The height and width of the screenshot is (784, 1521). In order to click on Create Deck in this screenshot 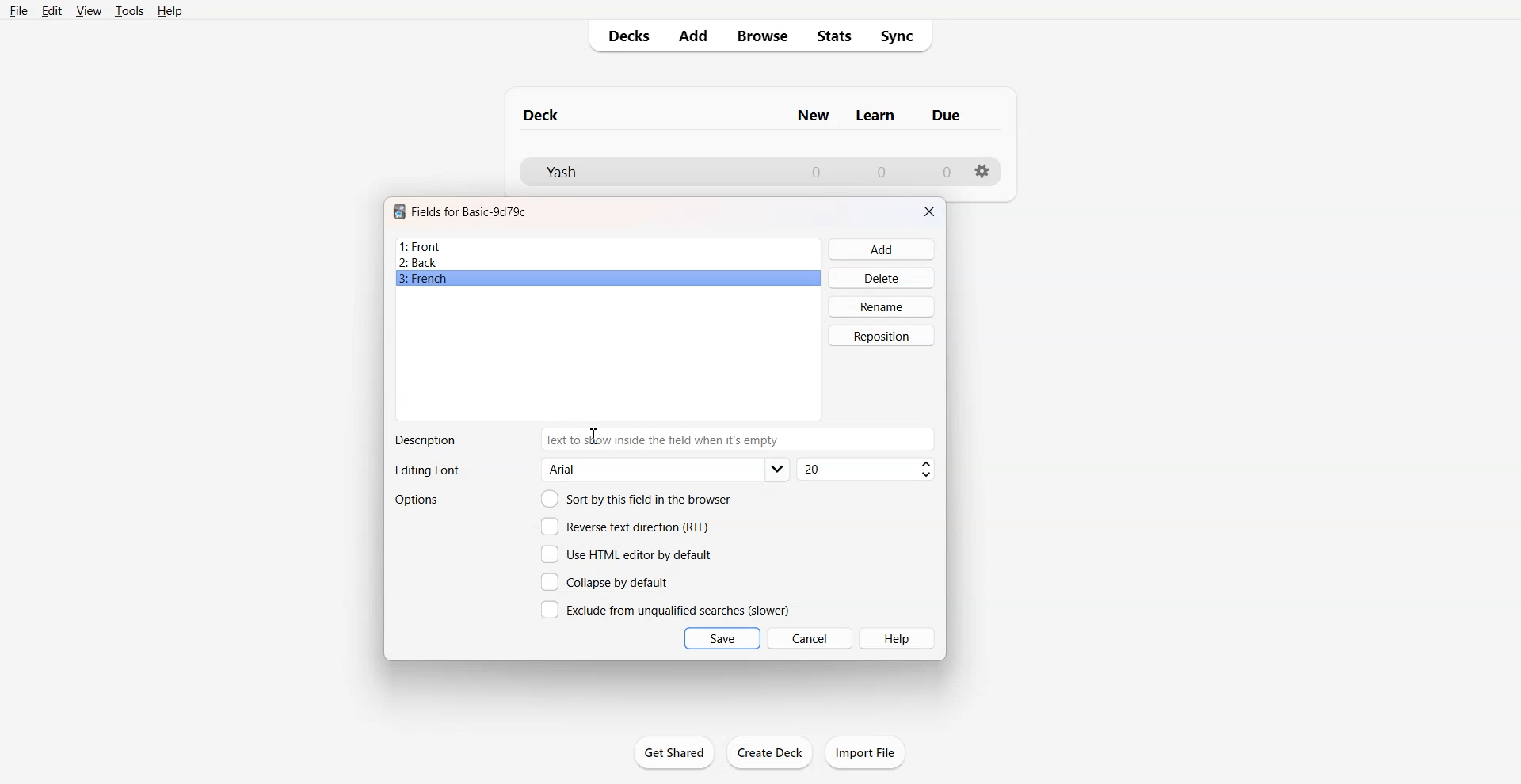, I will do `click(771, 752)`.